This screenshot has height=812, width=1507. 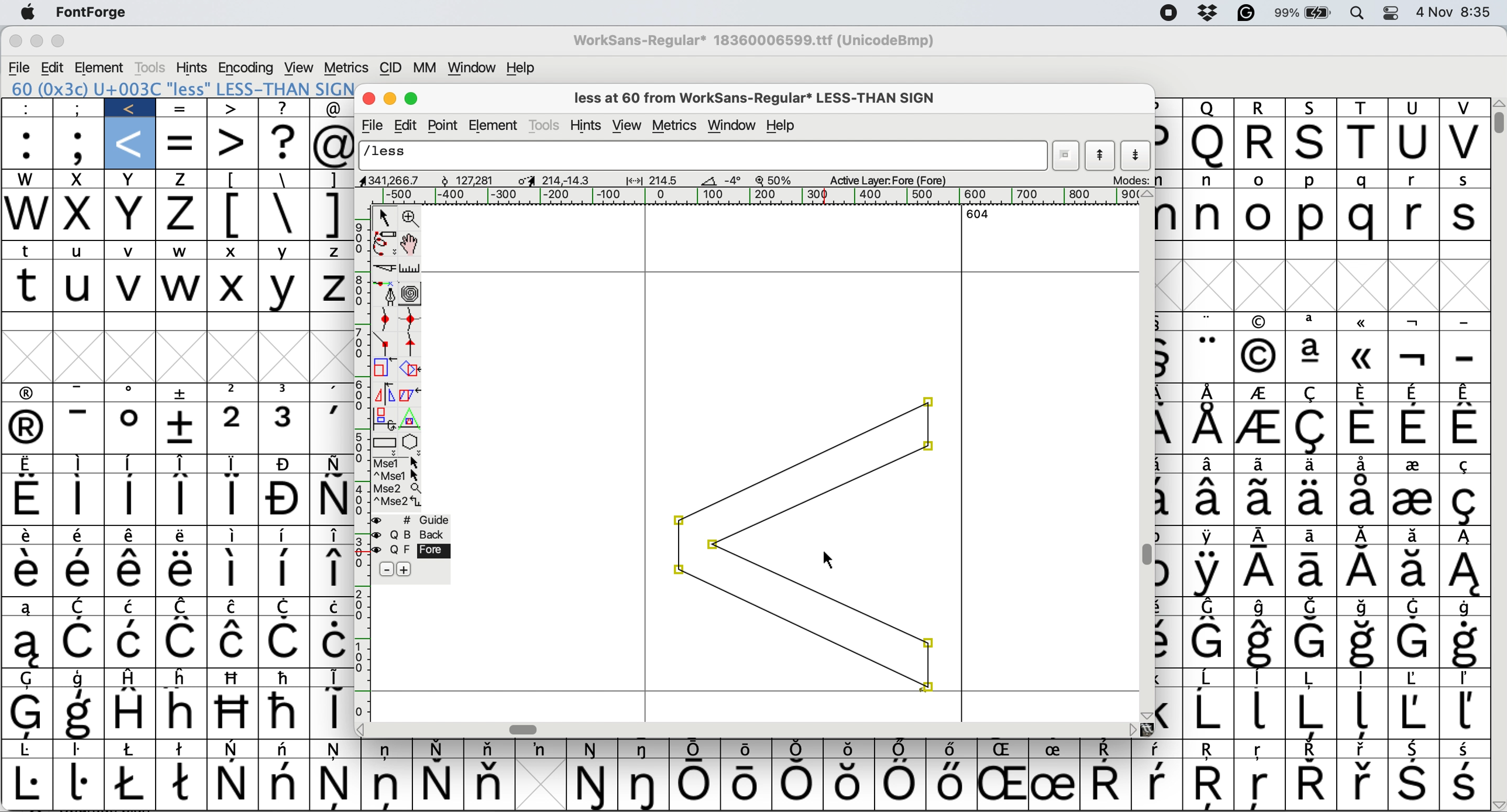 I want to click on [, so click(x=234, y=215).